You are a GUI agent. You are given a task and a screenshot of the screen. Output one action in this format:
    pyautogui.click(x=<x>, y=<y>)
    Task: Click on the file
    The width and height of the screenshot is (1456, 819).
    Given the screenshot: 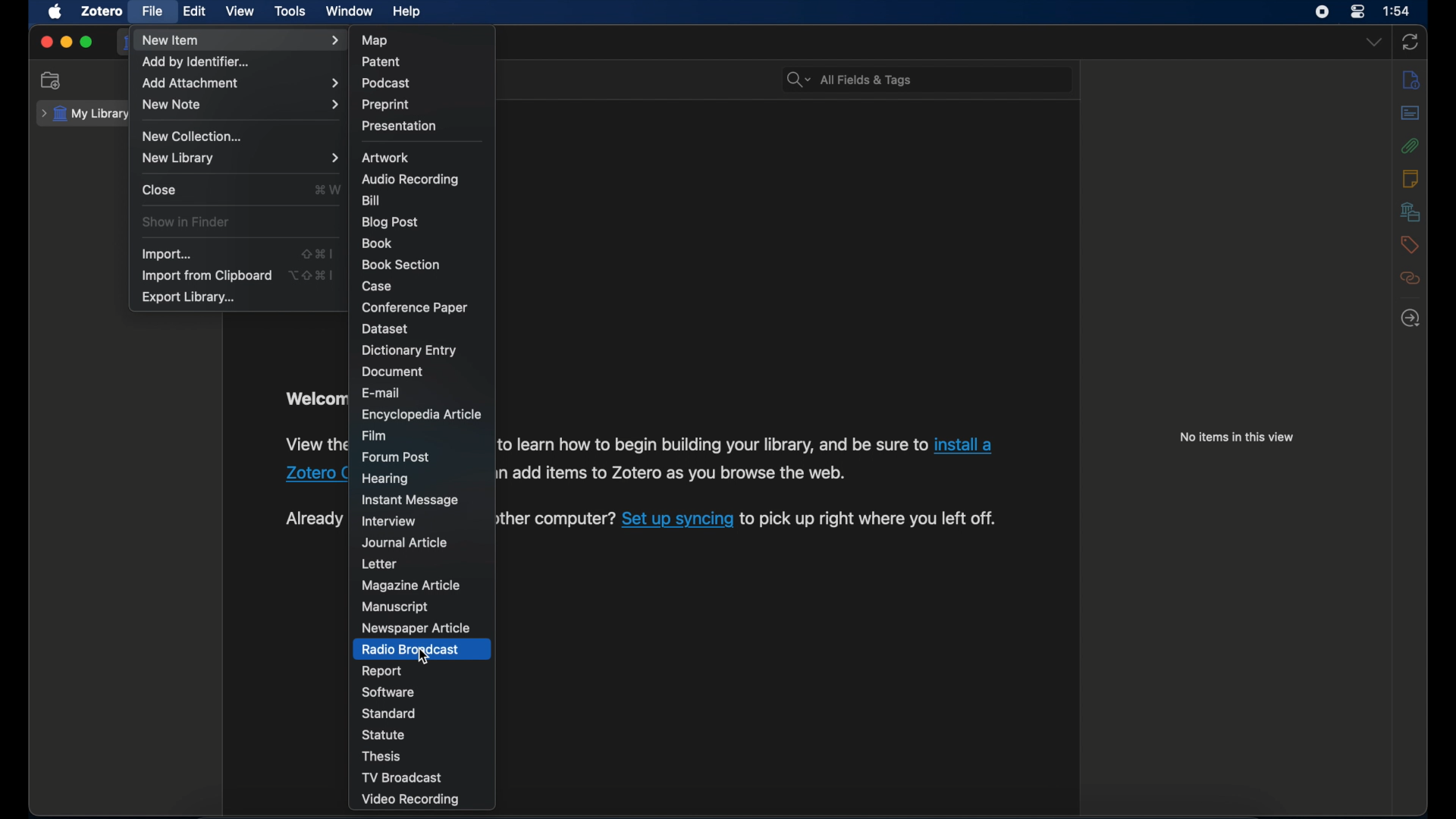 What is the action you would take?
    pyautogui.click(x=153, y=10)
    